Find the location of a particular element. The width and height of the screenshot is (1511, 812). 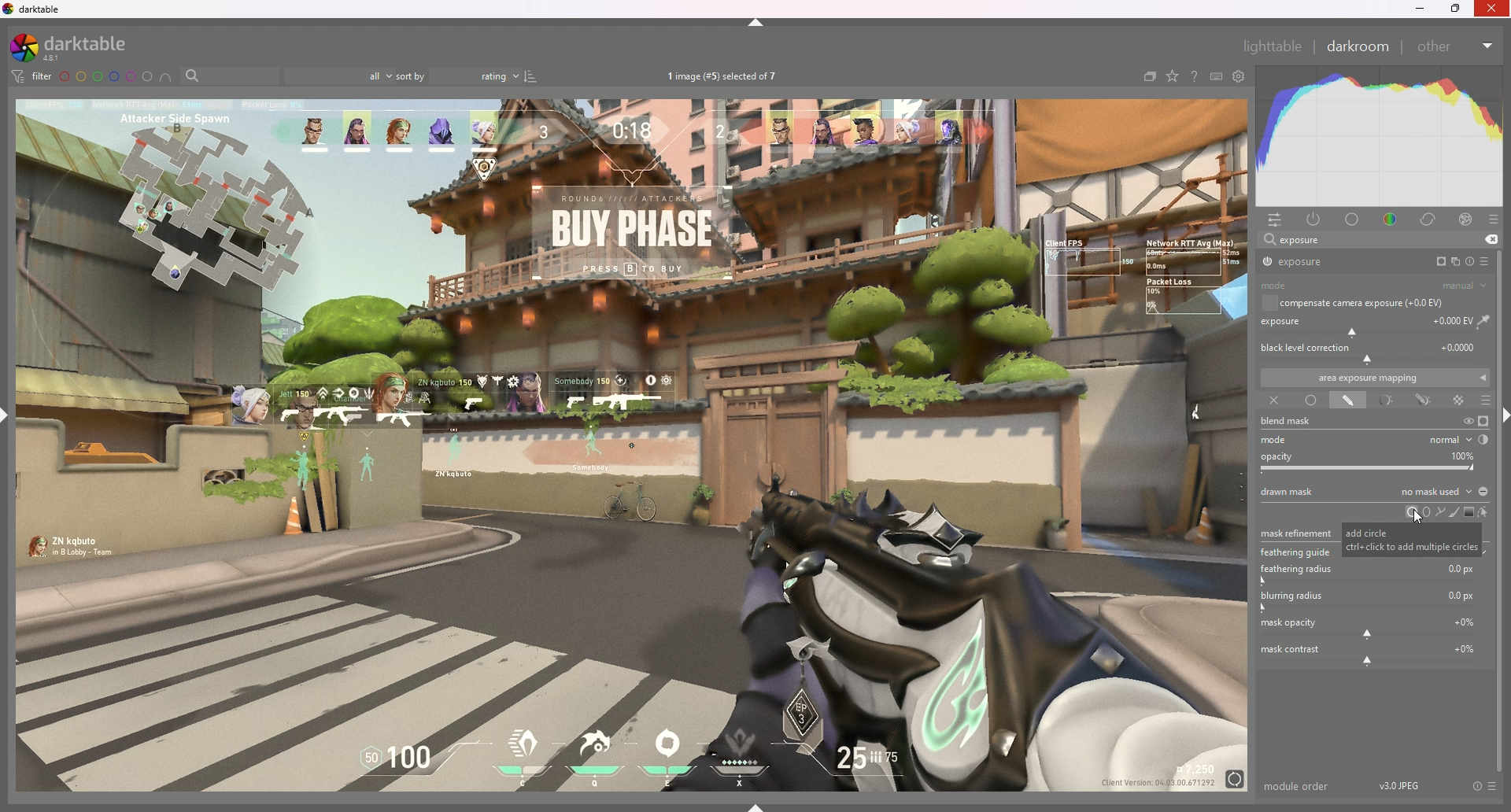

show is located at coordinates (756, 806).